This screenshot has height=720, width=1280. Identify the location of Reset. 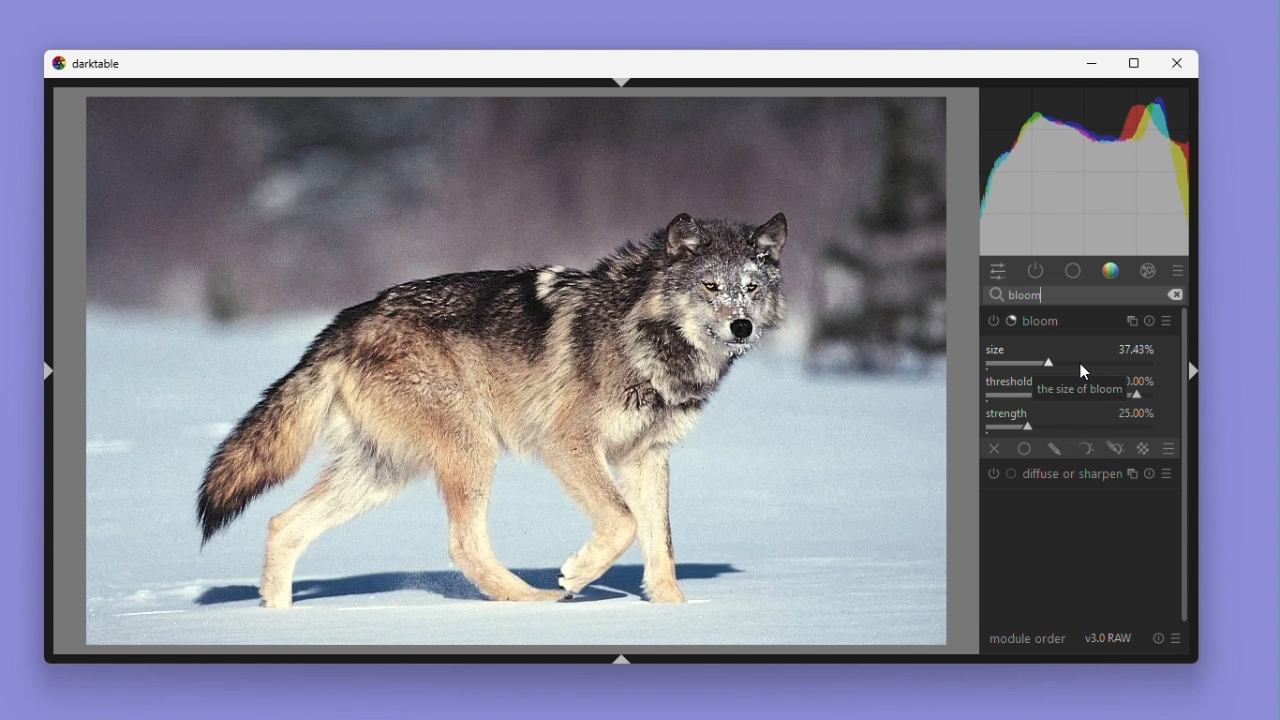
(1147, 474).